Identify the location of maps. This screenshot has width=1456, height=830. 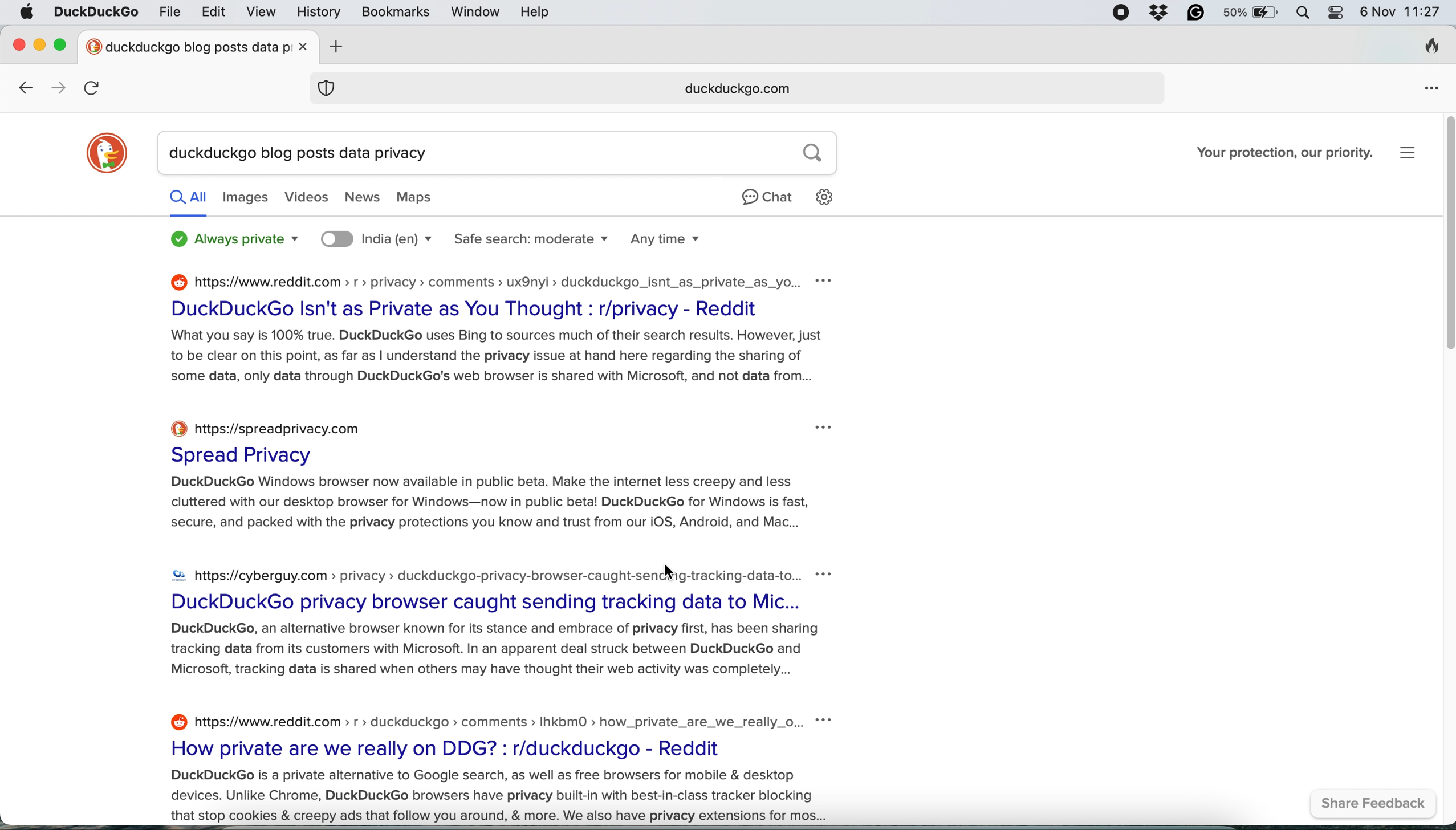
(422, 196).